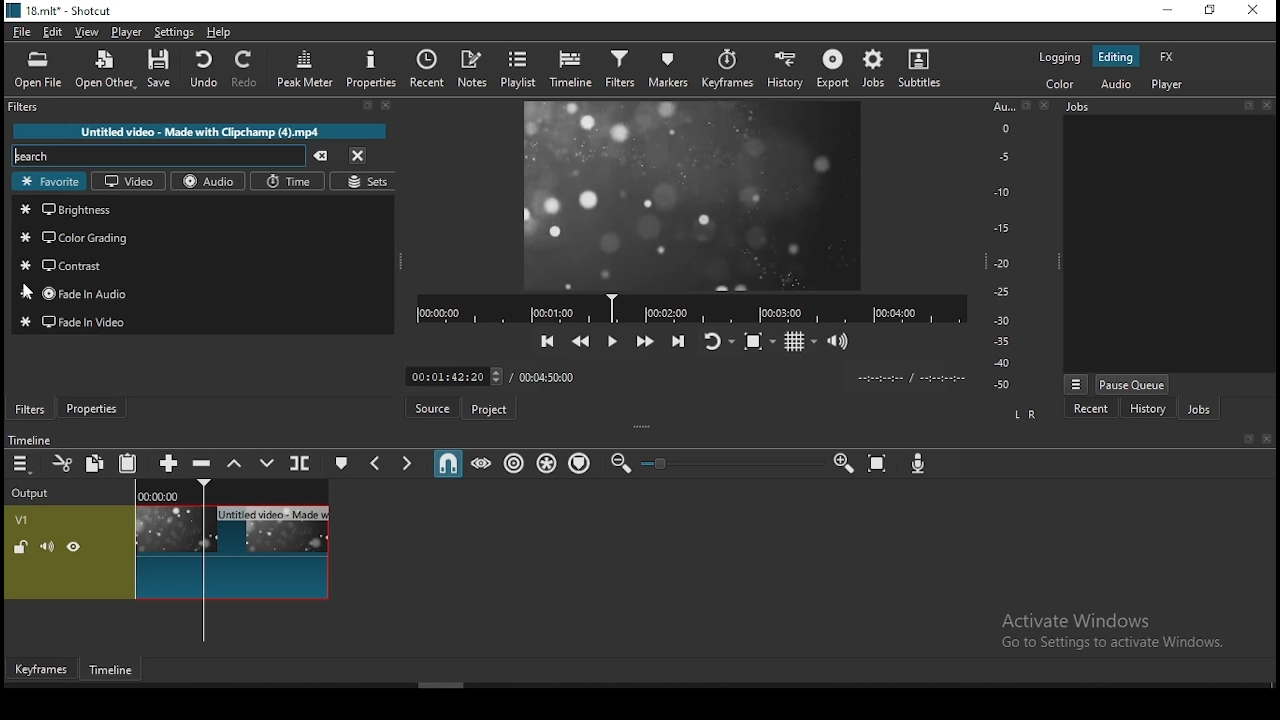 This screenshot has height=720, width=1280. I want to click on properties, so click(91, 408).